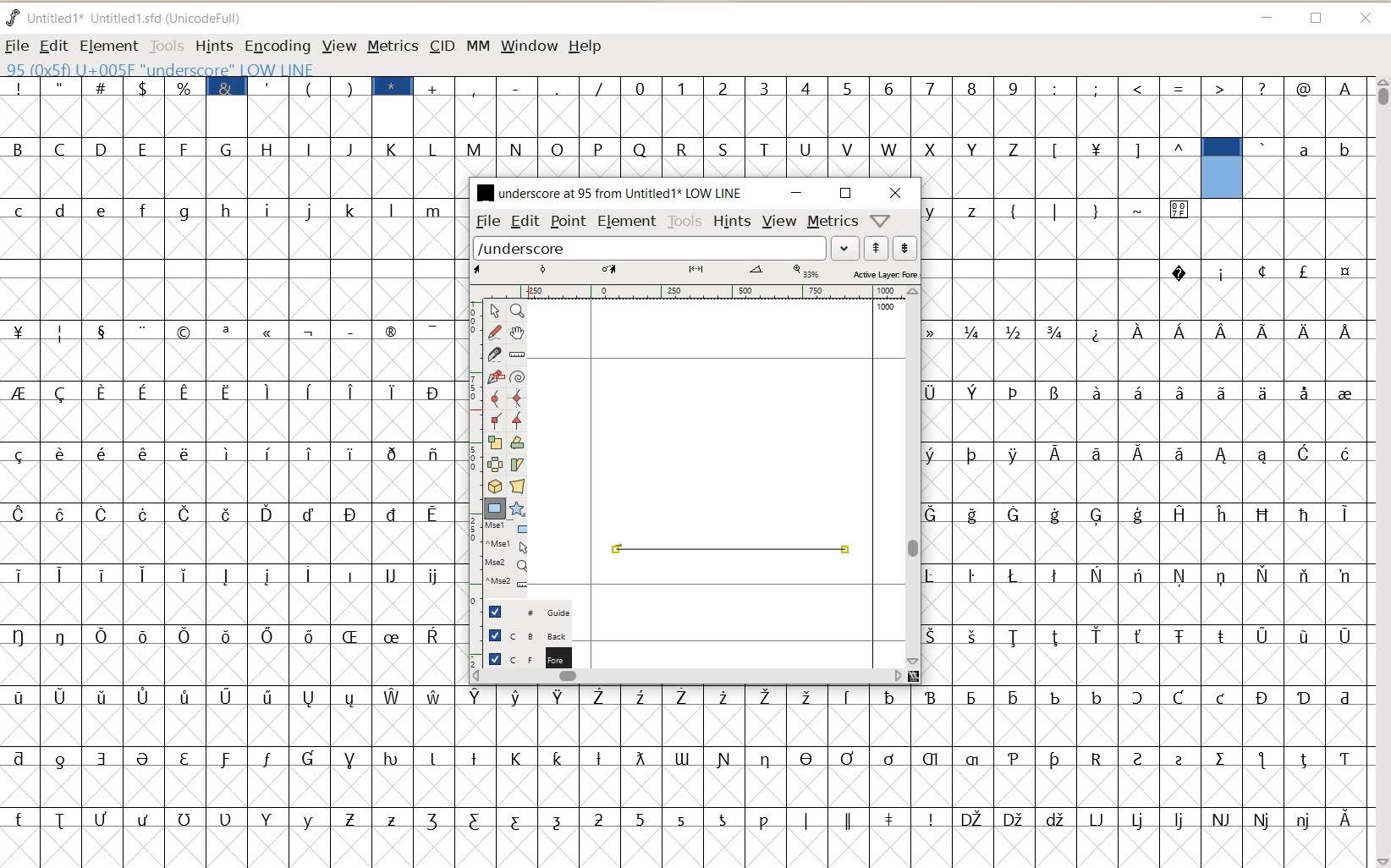  What do you see at coordinates (732, 221) in the screenshot?
I see `HINTS` at bounding box center [732, 221].